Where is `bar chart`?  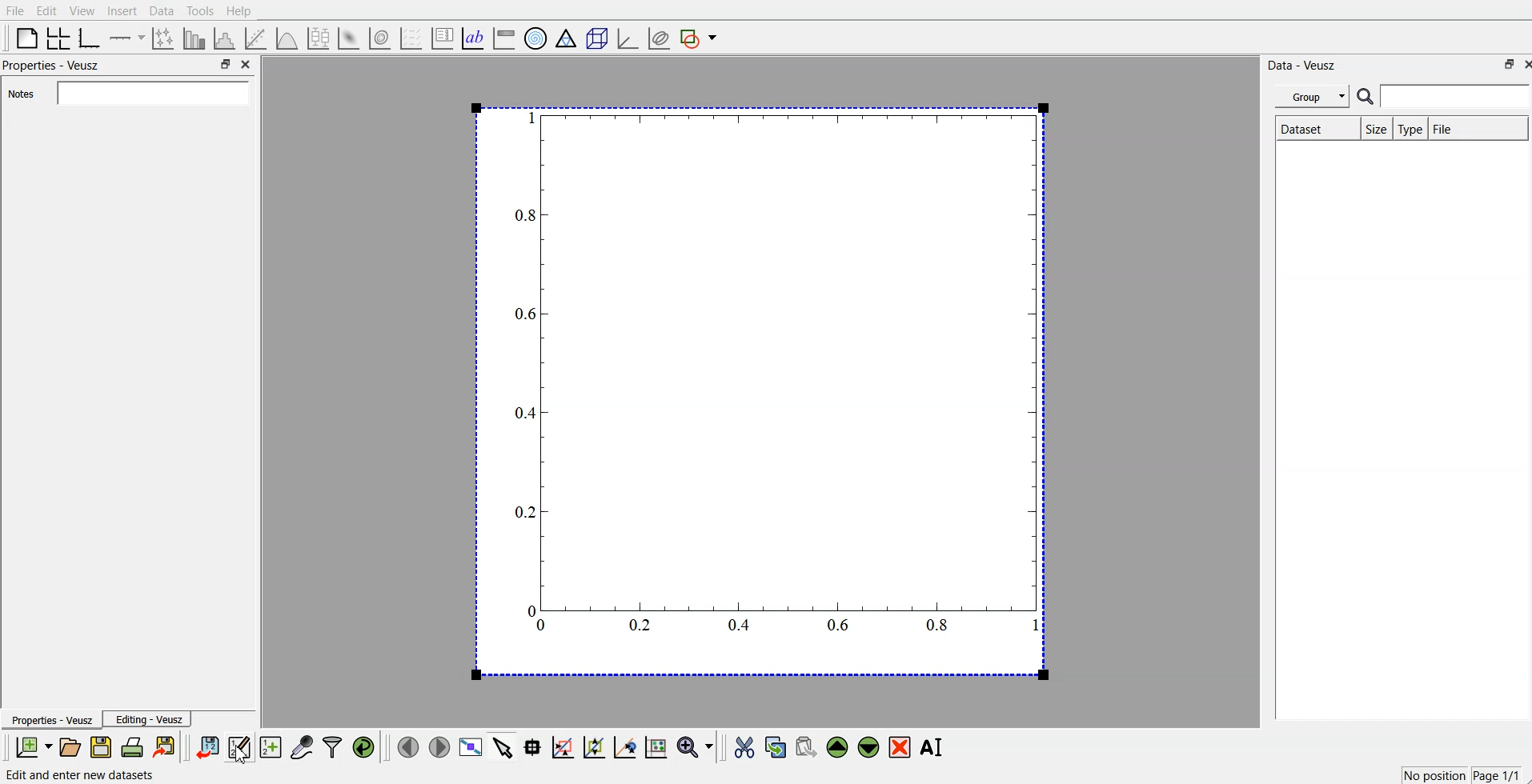
bar chart is located at coordinates (195, 37).